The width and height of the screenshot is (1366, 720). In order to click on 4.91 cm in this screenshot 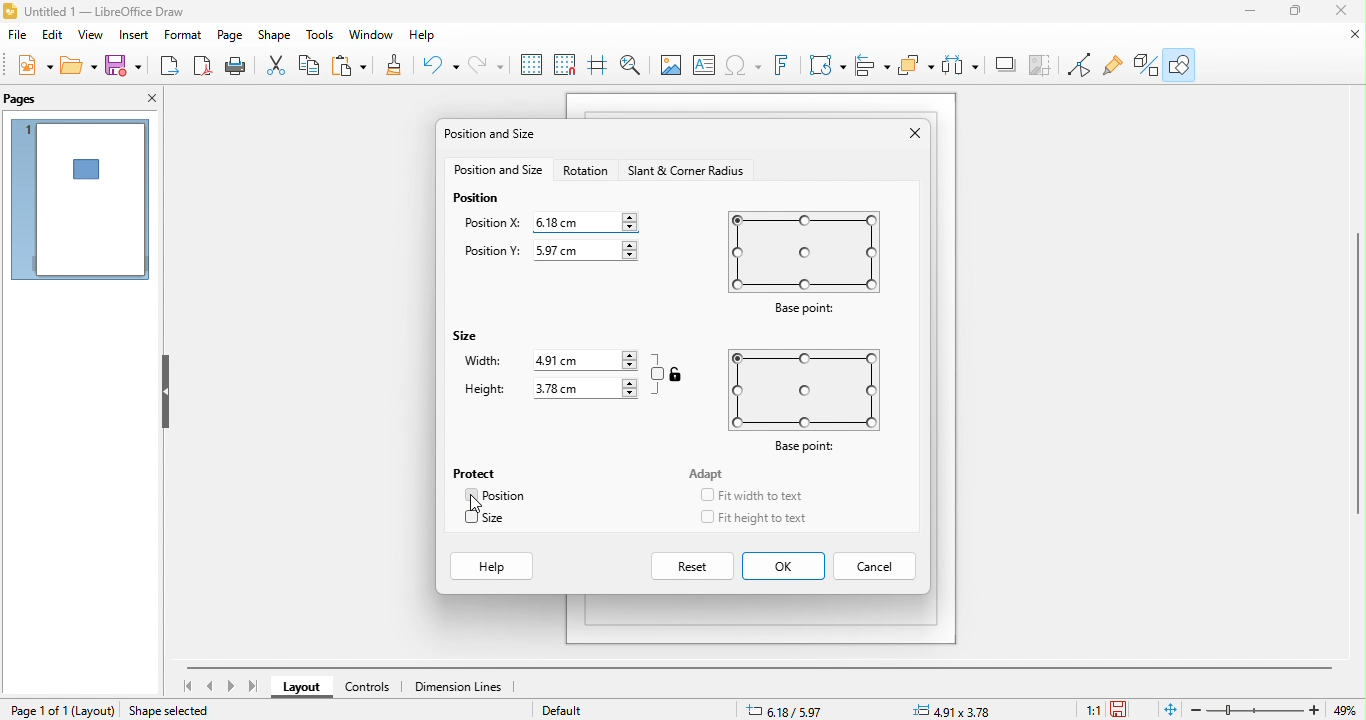, I will do `click(586, 360)`.